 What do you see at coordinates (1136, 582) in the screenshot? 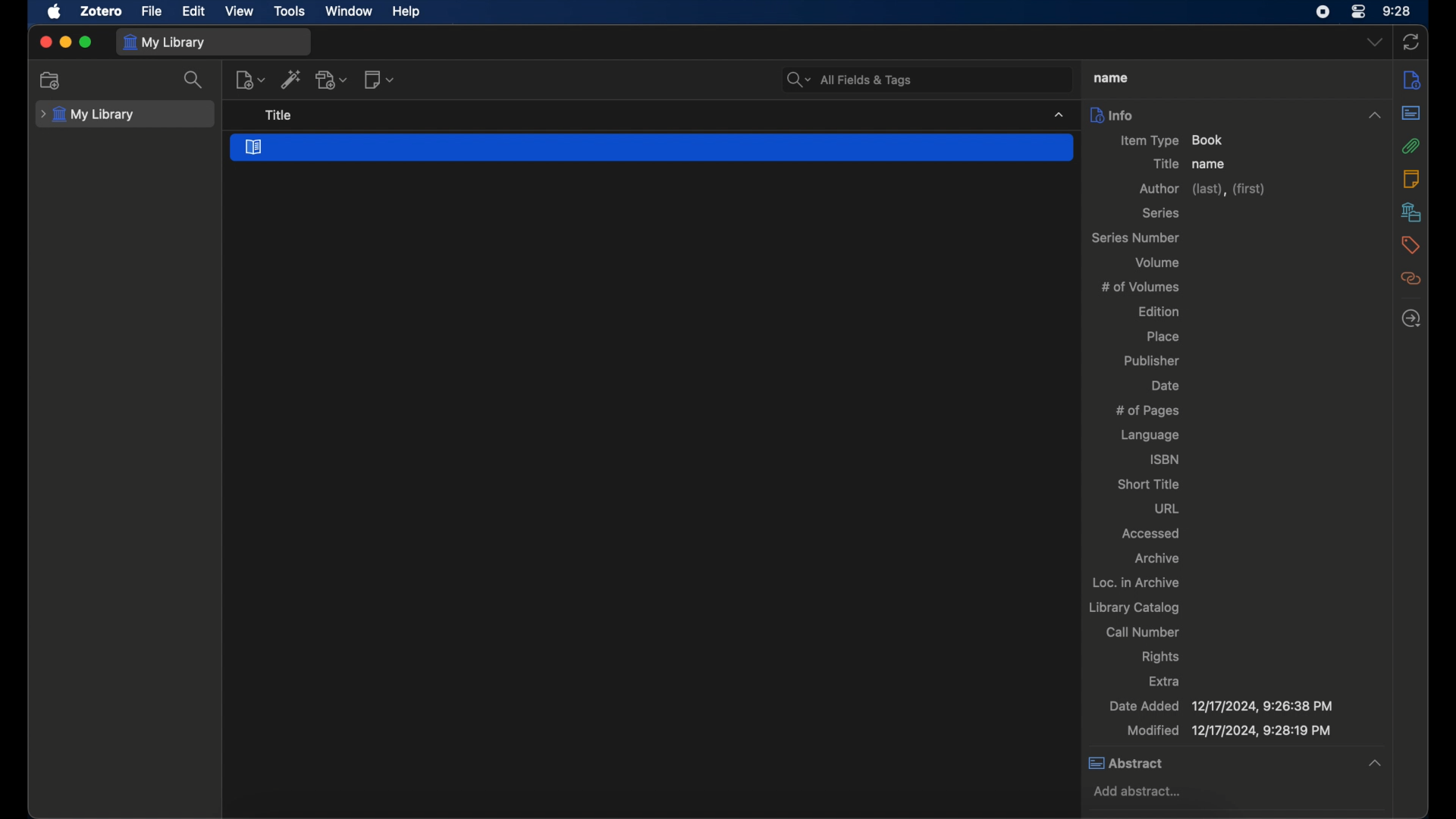
I see `loc. in archive` at bounding box center [1136, 582].